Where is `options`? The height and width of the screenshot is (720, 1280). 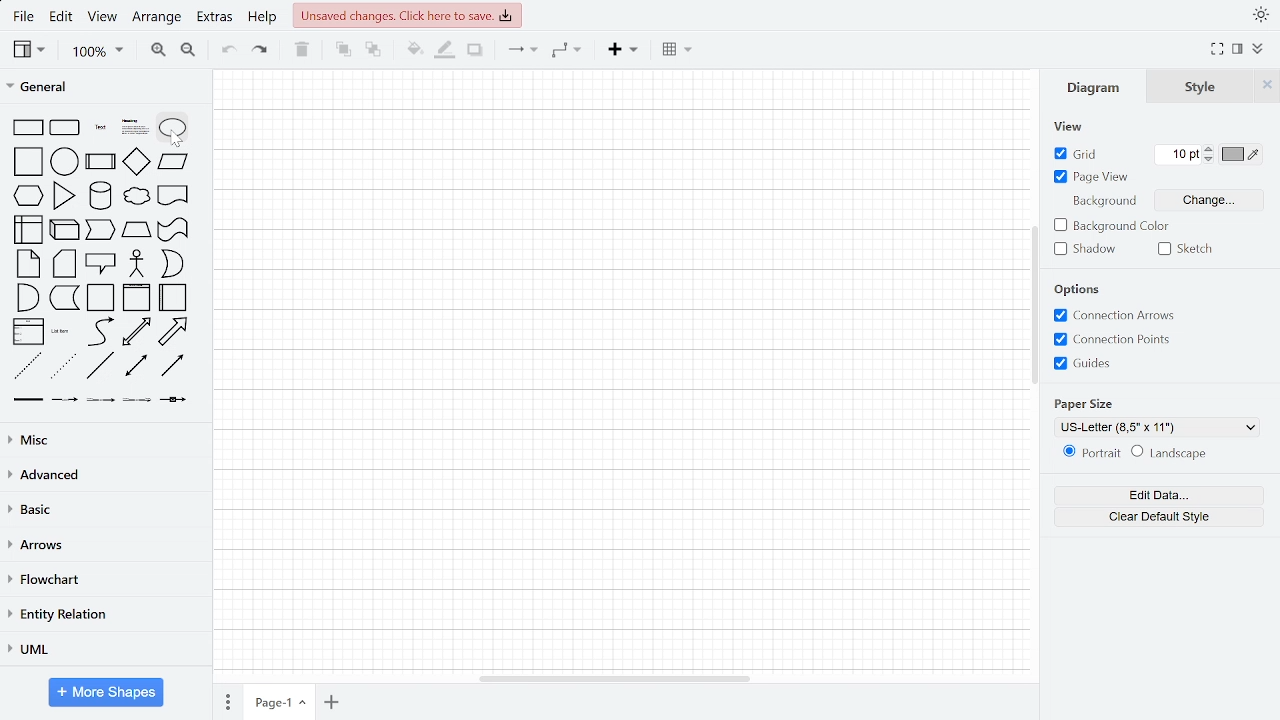 options is located at coordinates (1077, 289).